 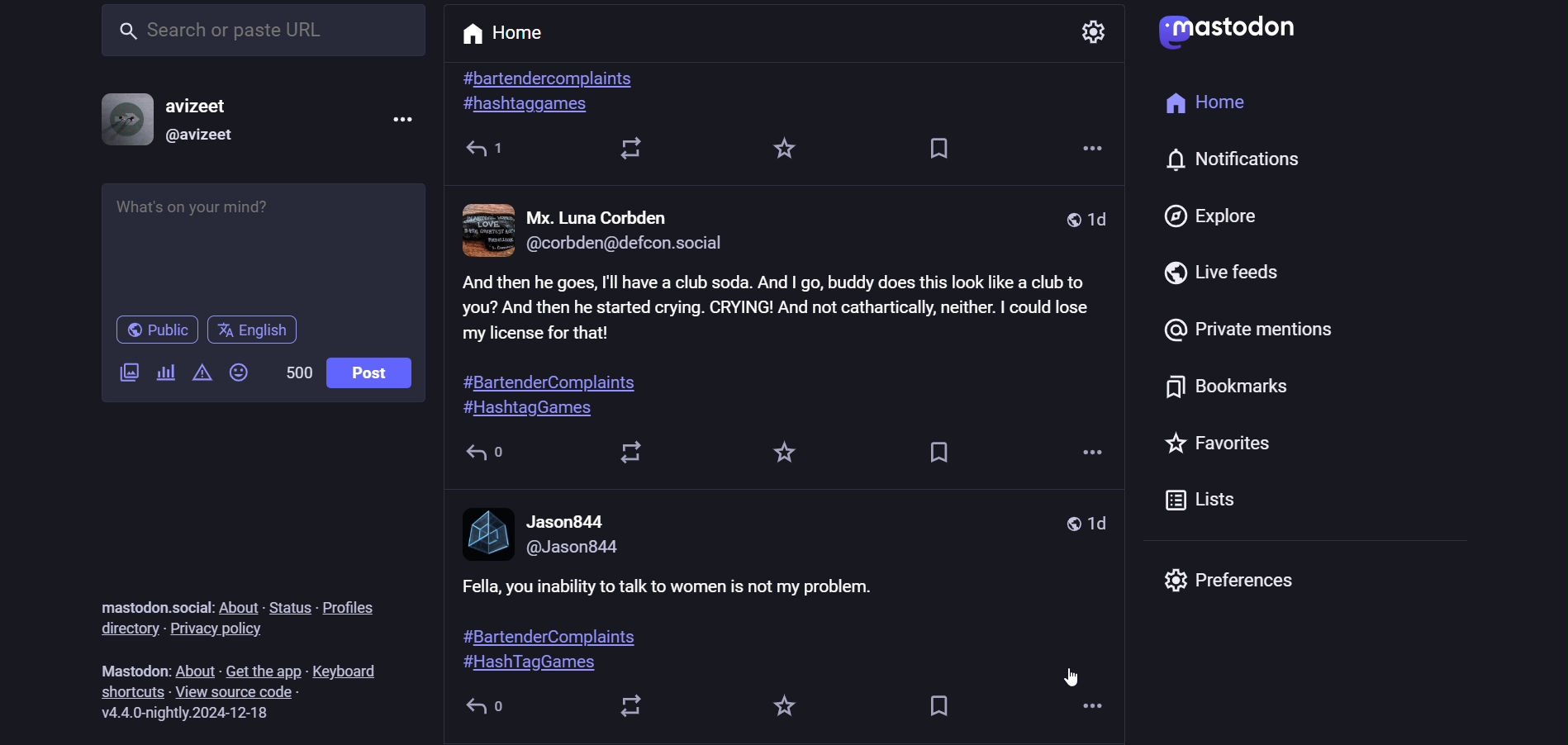 I want to click on bookmark, so click(x=937, y=456).